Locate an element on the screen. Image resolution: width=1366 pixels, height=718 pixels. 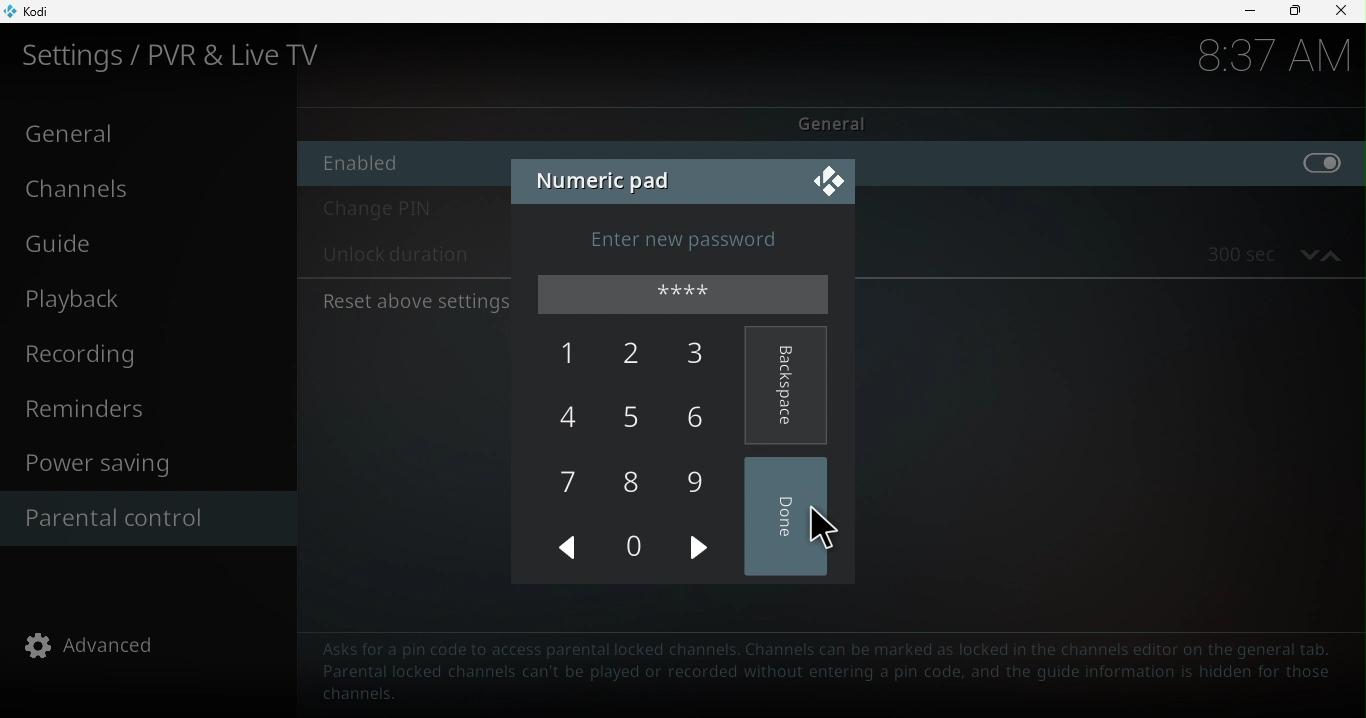
Kodi icon is located at coordinates (41, 10).